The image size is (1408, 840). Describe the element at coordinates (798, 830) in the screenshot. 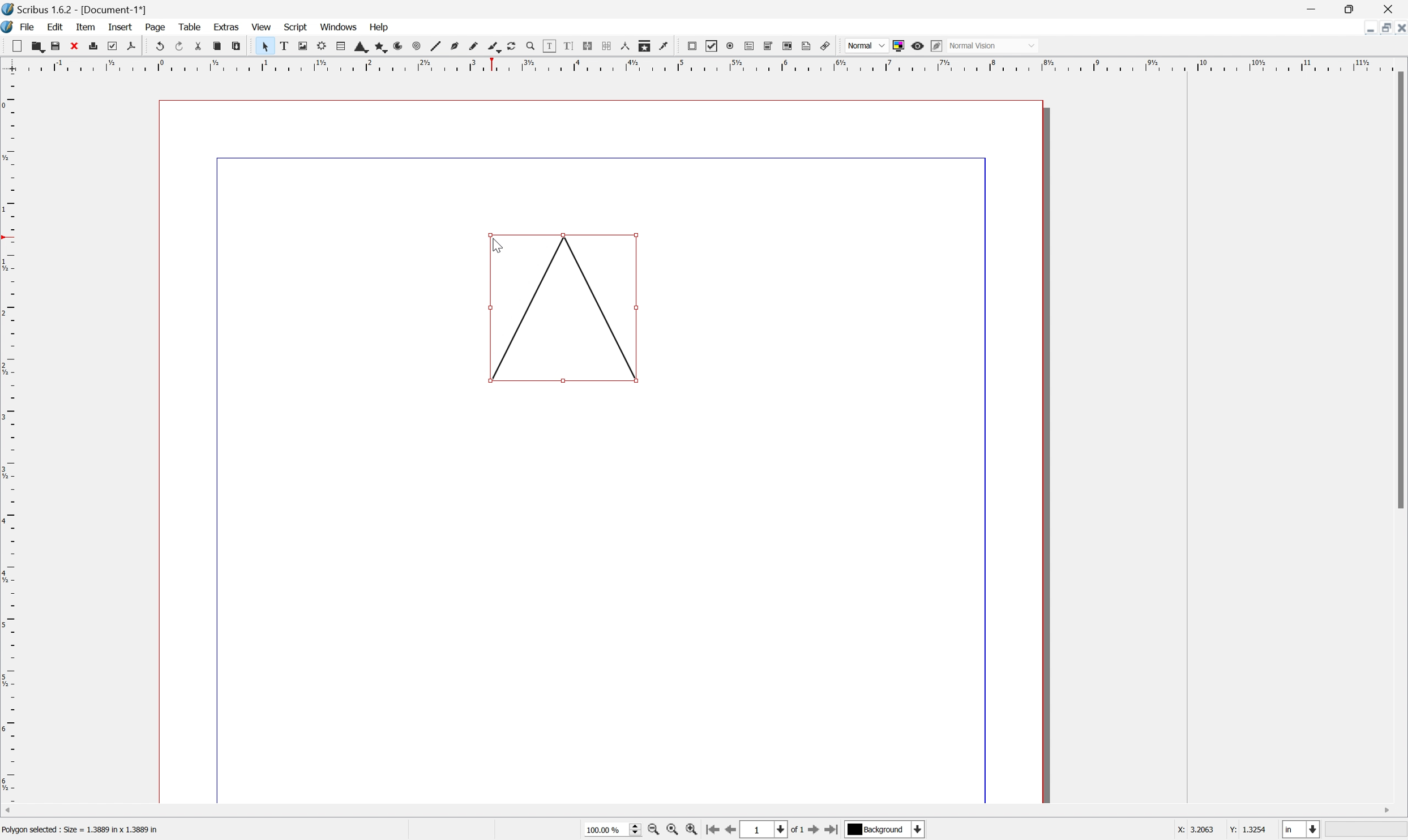

I see `of 1` at that location.